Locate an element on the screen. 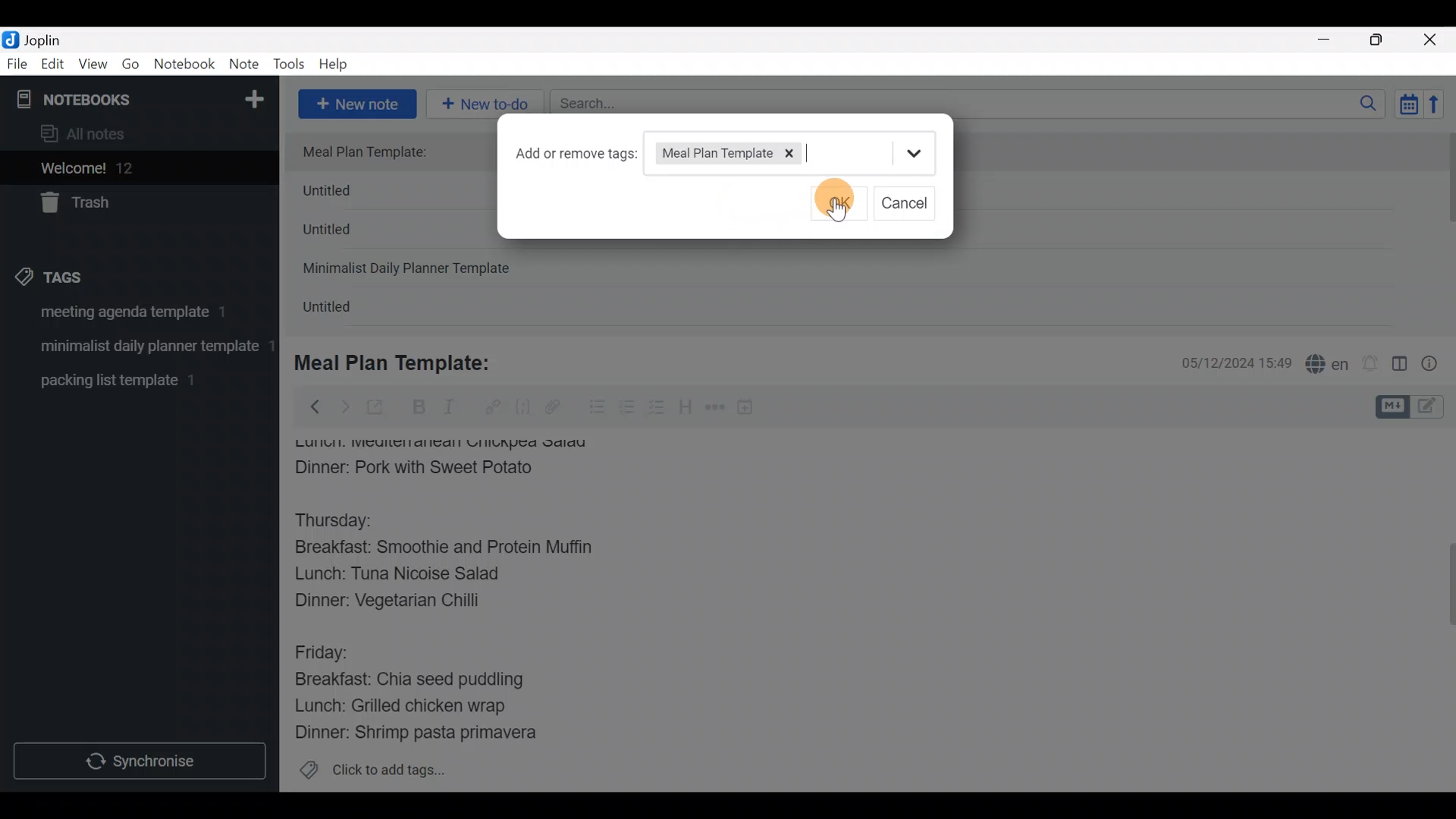 The image size is (1456, 819). Joplin is located at coordinates (52, 38).